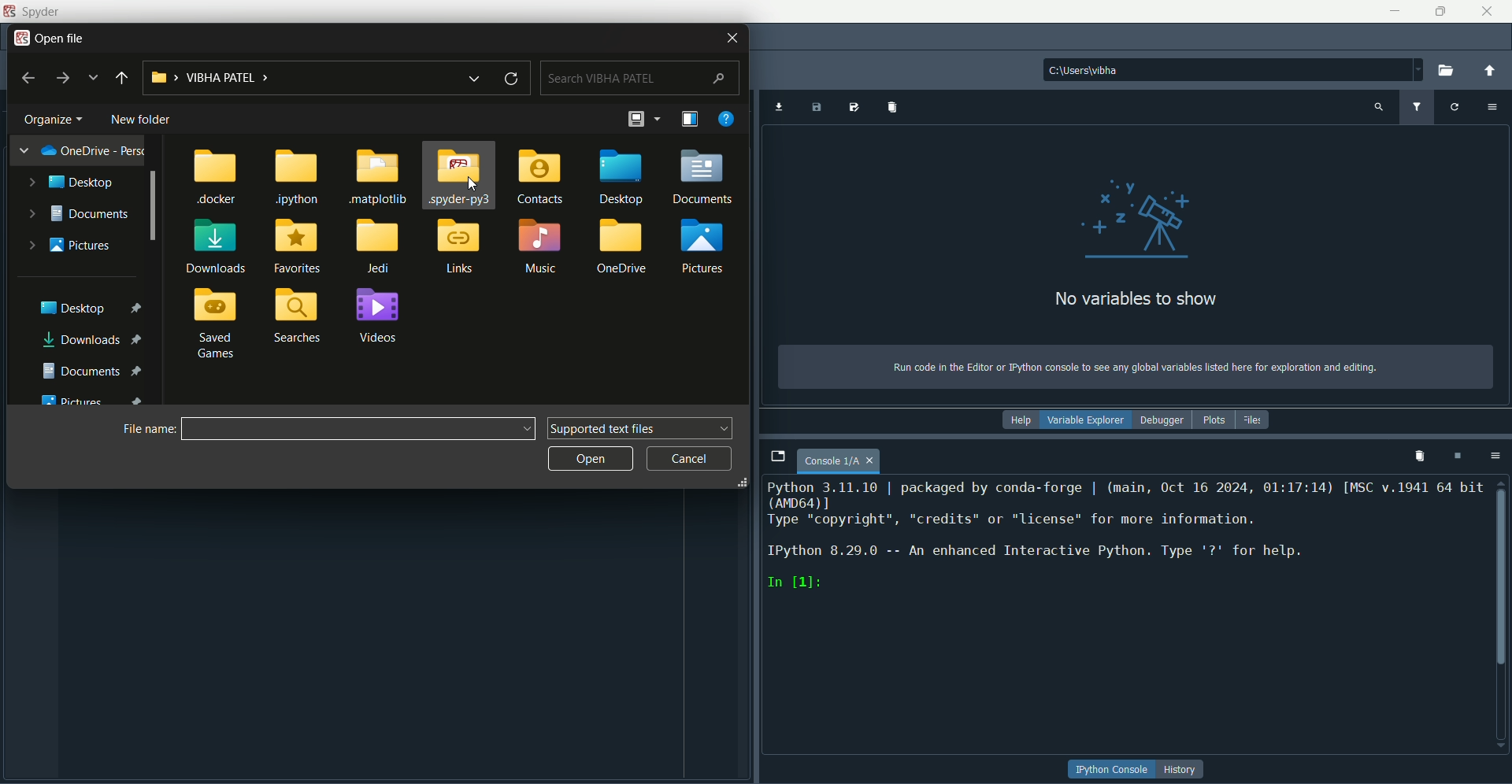 The width and height of the screenshot is (1512, 784). What do you see at coordinates (77, 213) in the screenshot?
I see `documents` at bounding box center [77, 213].